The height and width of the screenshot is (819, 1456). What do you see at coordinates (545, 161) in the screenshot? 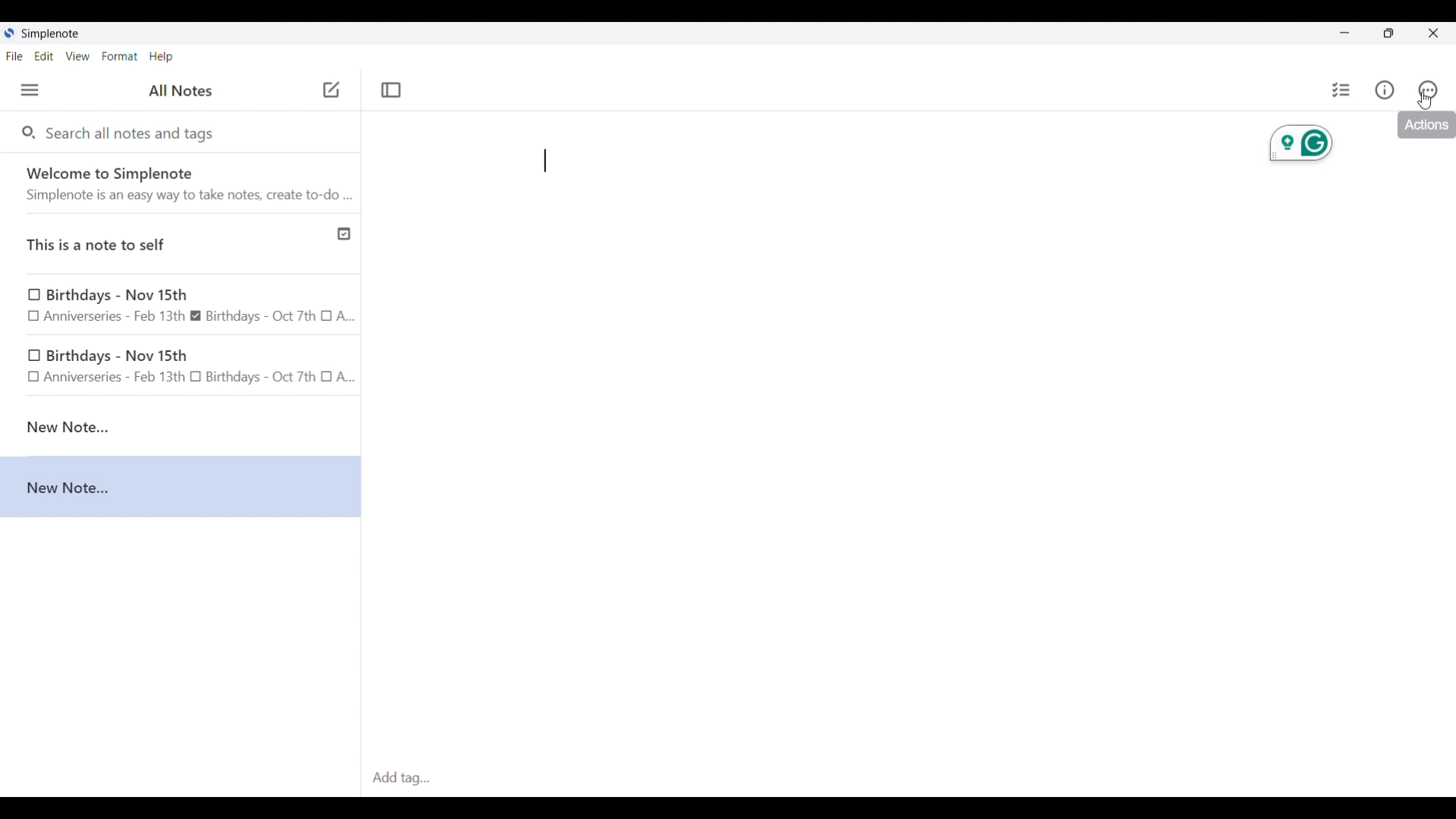
I see `New note ready for typing in` at bounding box center [545, 161].